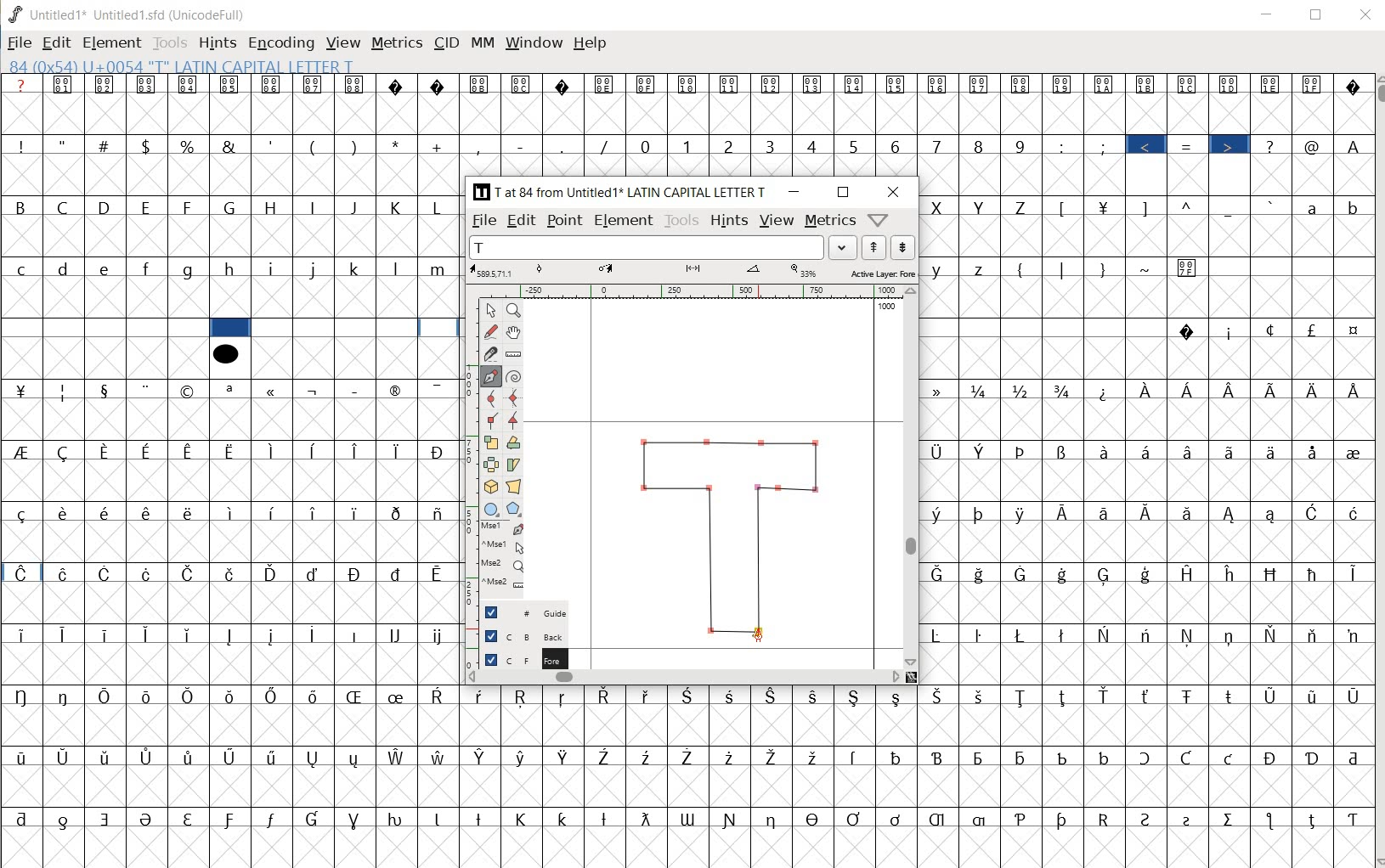 Image resolution: width=1385 pixels, height=868 pixels. What do you see at coordinates (813, 755) in the screenshot?
I see `Symbol` at bounding box center [813, 755].